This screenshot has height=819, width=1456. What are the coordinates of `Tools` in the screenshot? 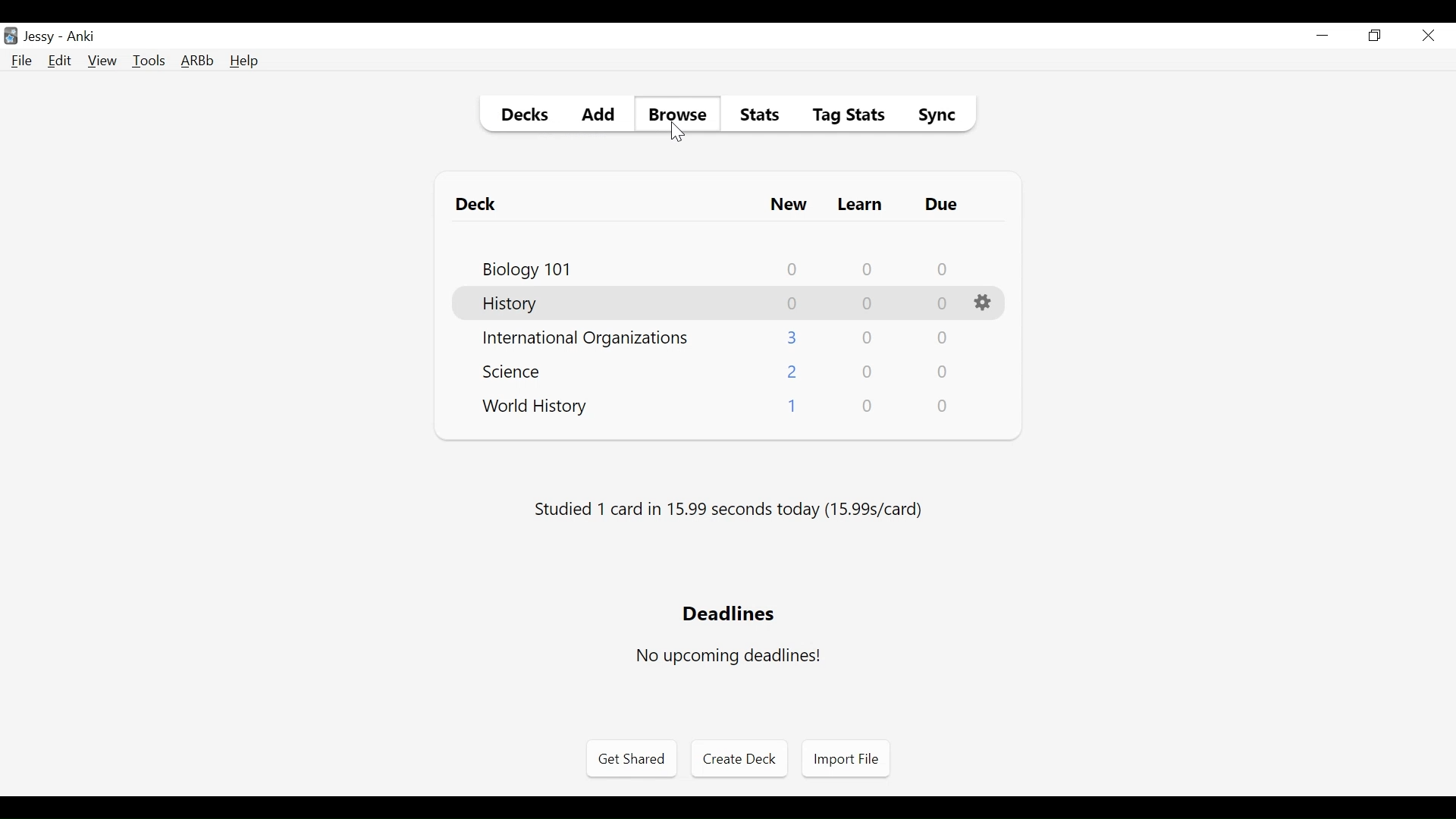 It's located at (151, 60).